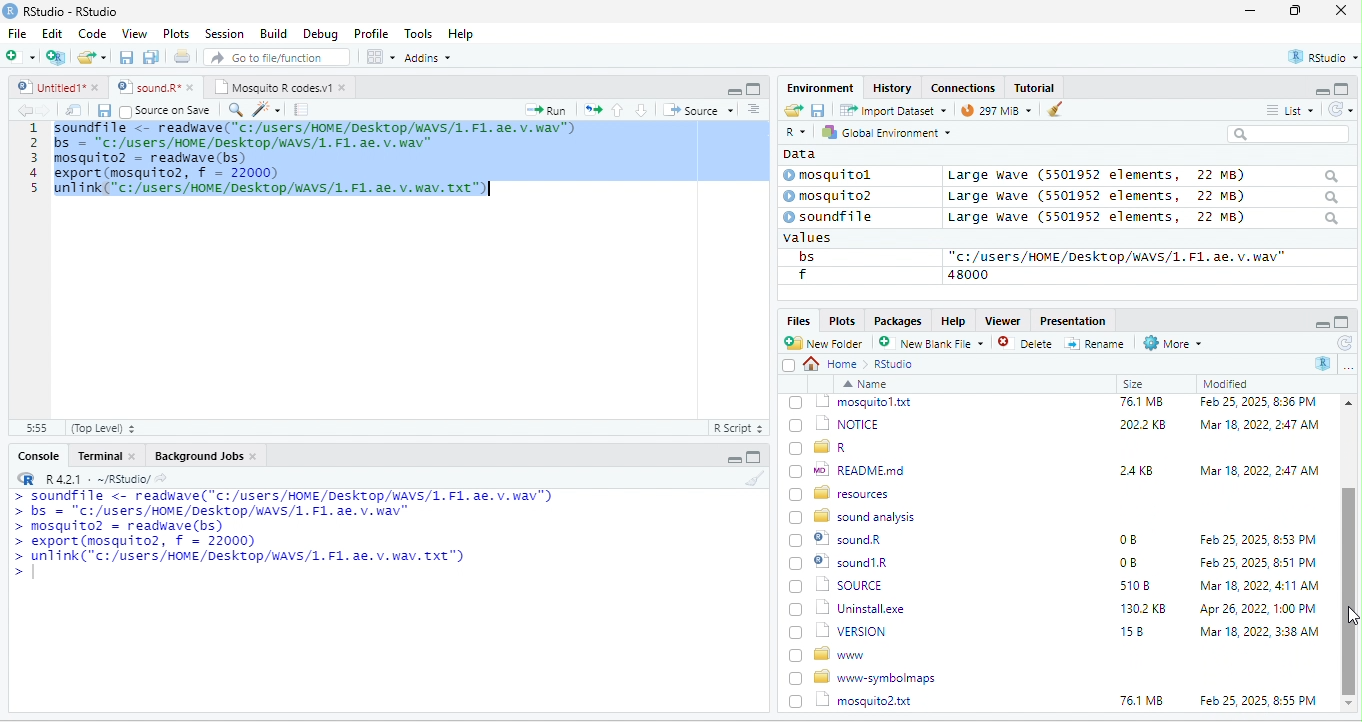 This screenshot has width=1362, height=722. What do you see at coordinates (753, 457) in the screenshot?
I see `maximize` at bounding box center [753, 457].